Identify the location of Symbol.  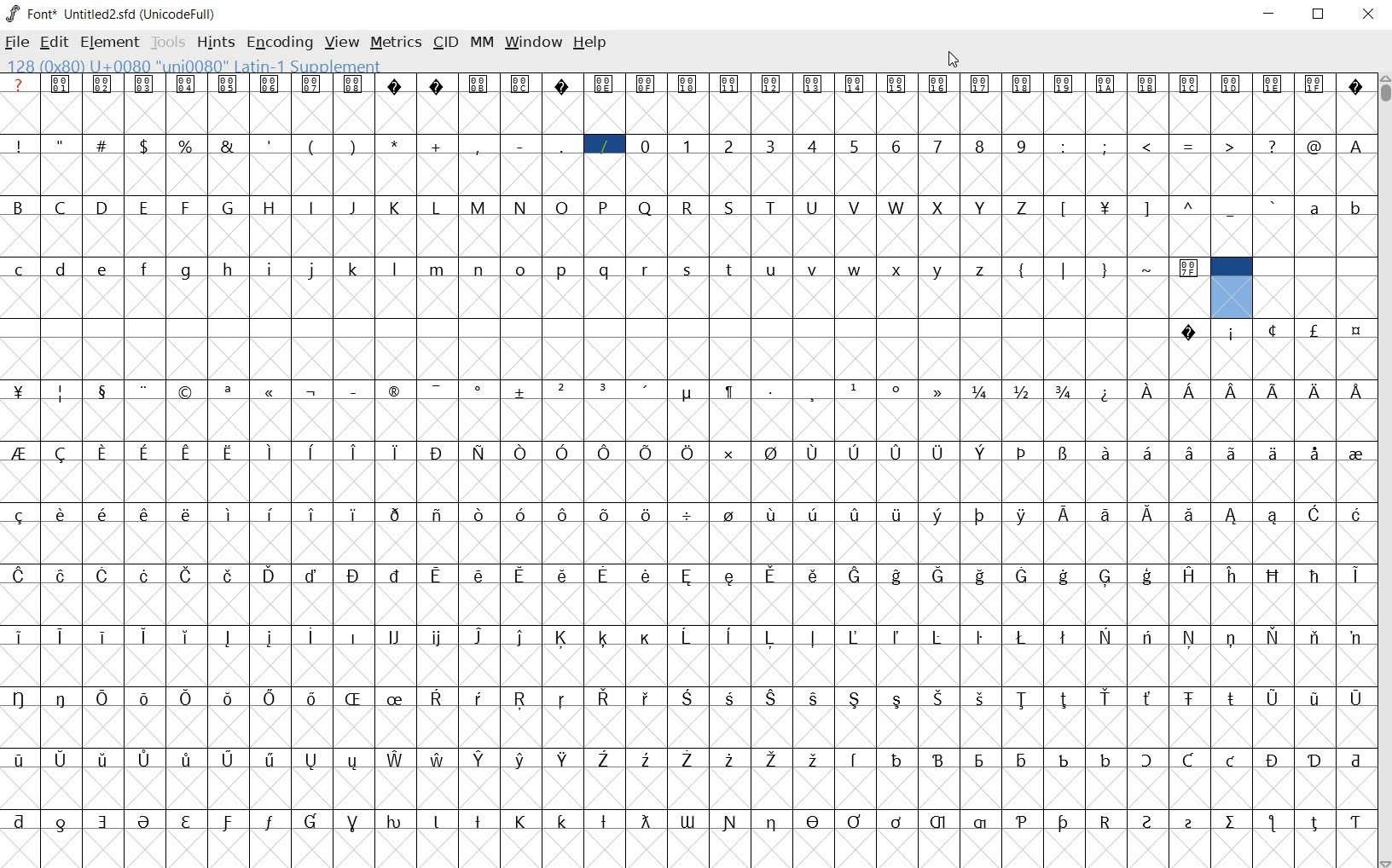
(690, 391).